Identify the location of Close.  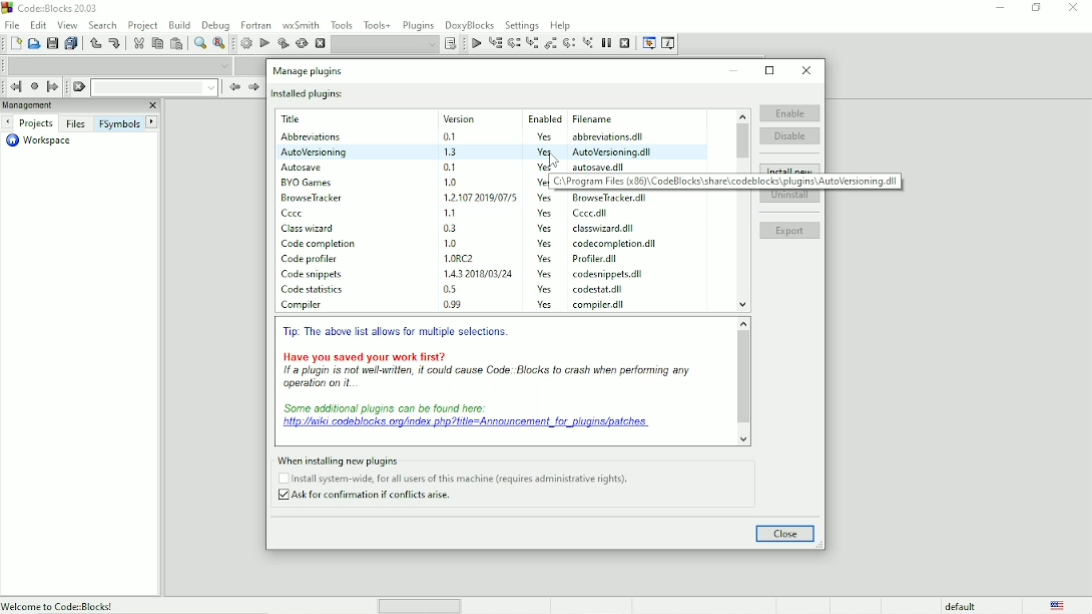
(807, 70).